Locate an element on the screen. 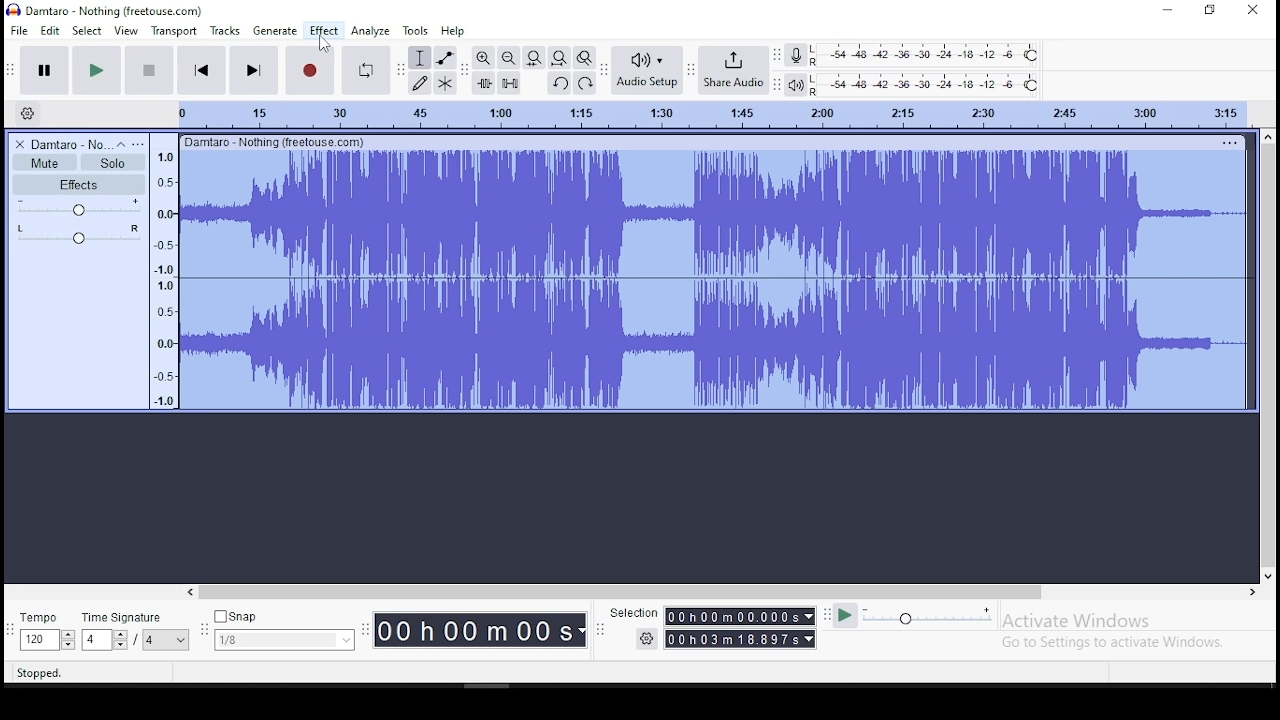 This screenshot has width=1280, height=720. undo is located at coordinates (558, 83).